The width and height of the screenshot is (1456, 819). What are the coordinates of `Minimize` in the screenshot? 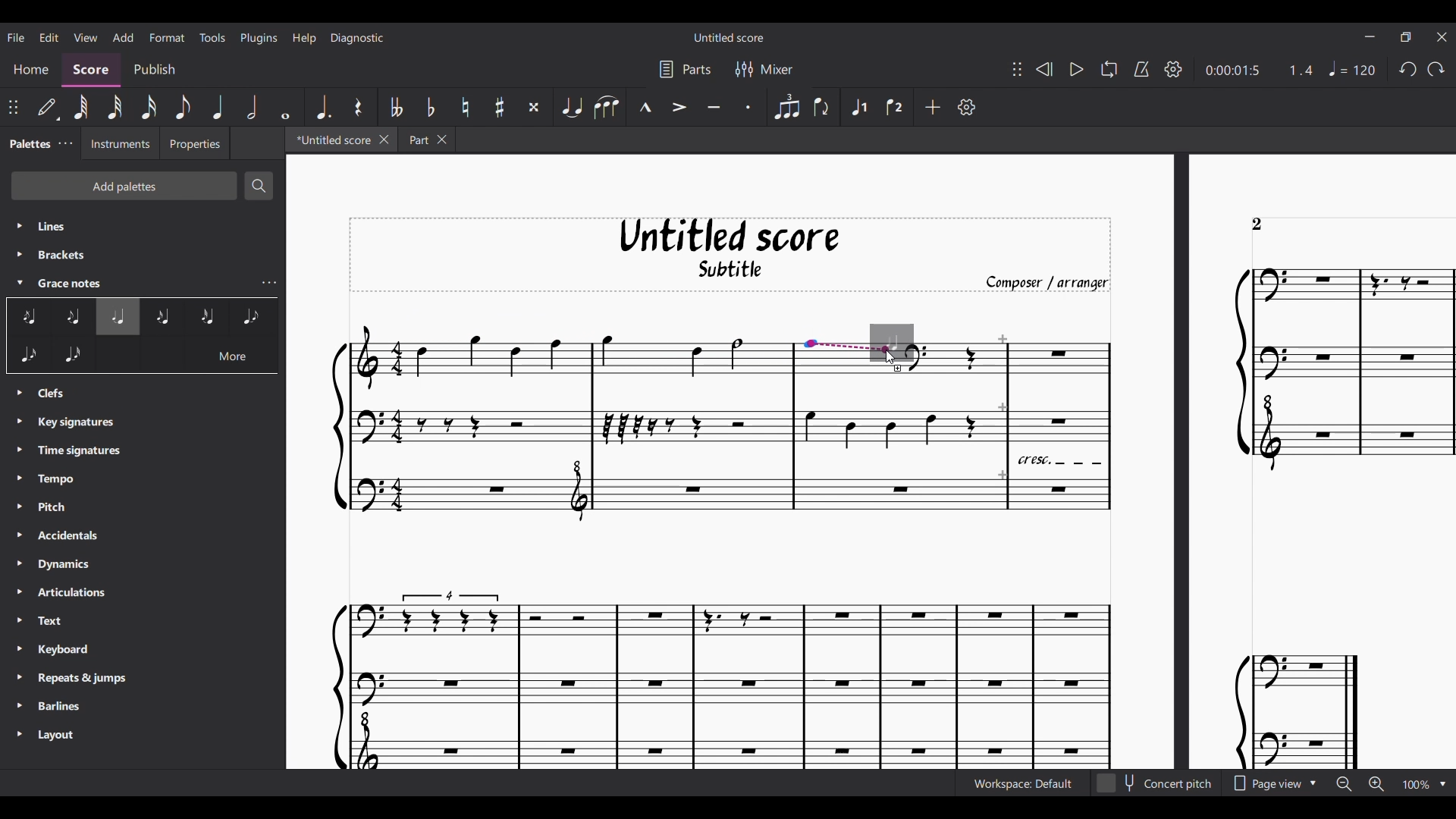 It's located at (1370, 36).